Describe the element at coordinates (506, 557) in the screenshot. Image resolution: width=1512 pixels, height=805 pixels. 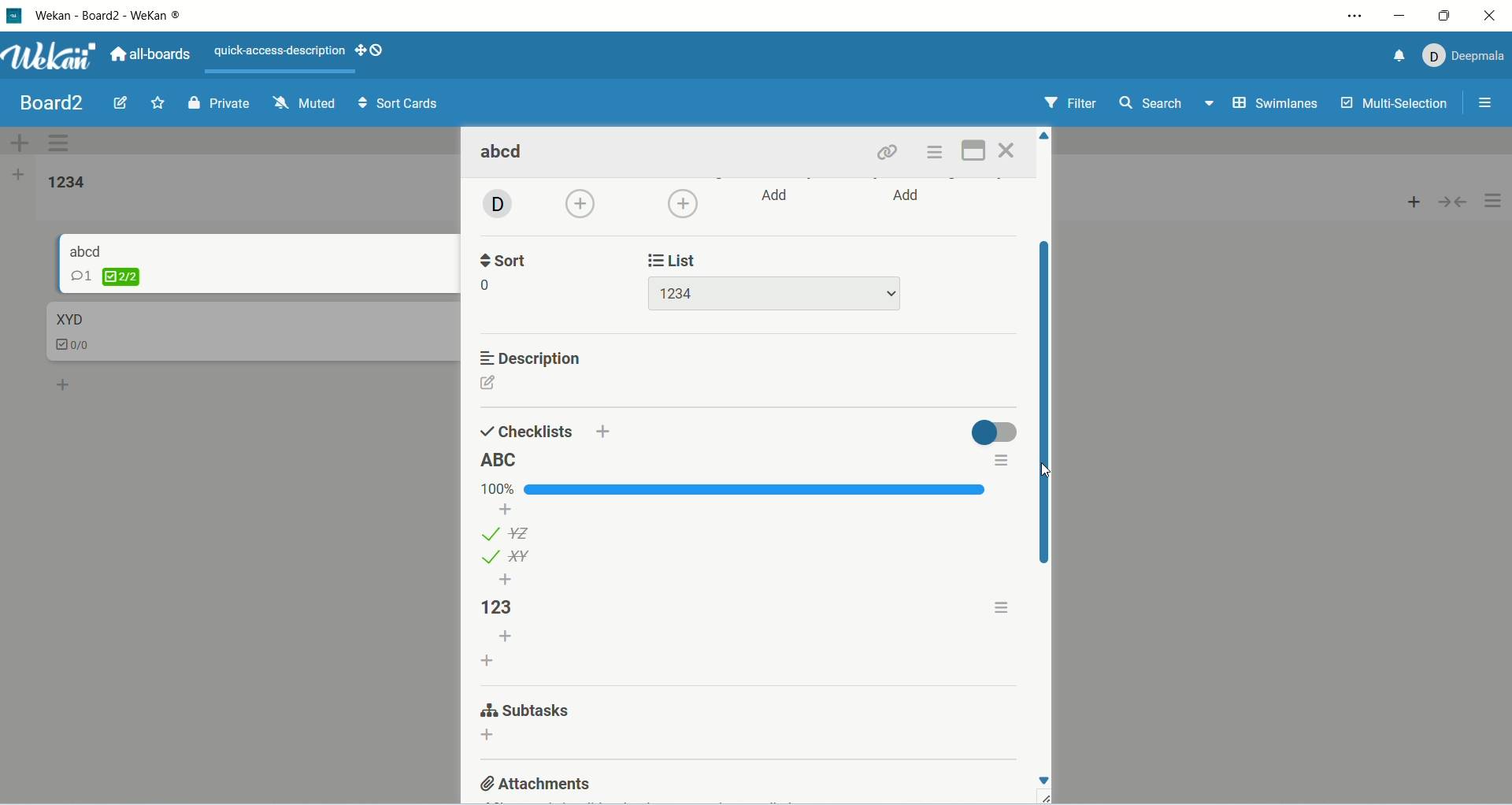
I see `list` at that location.